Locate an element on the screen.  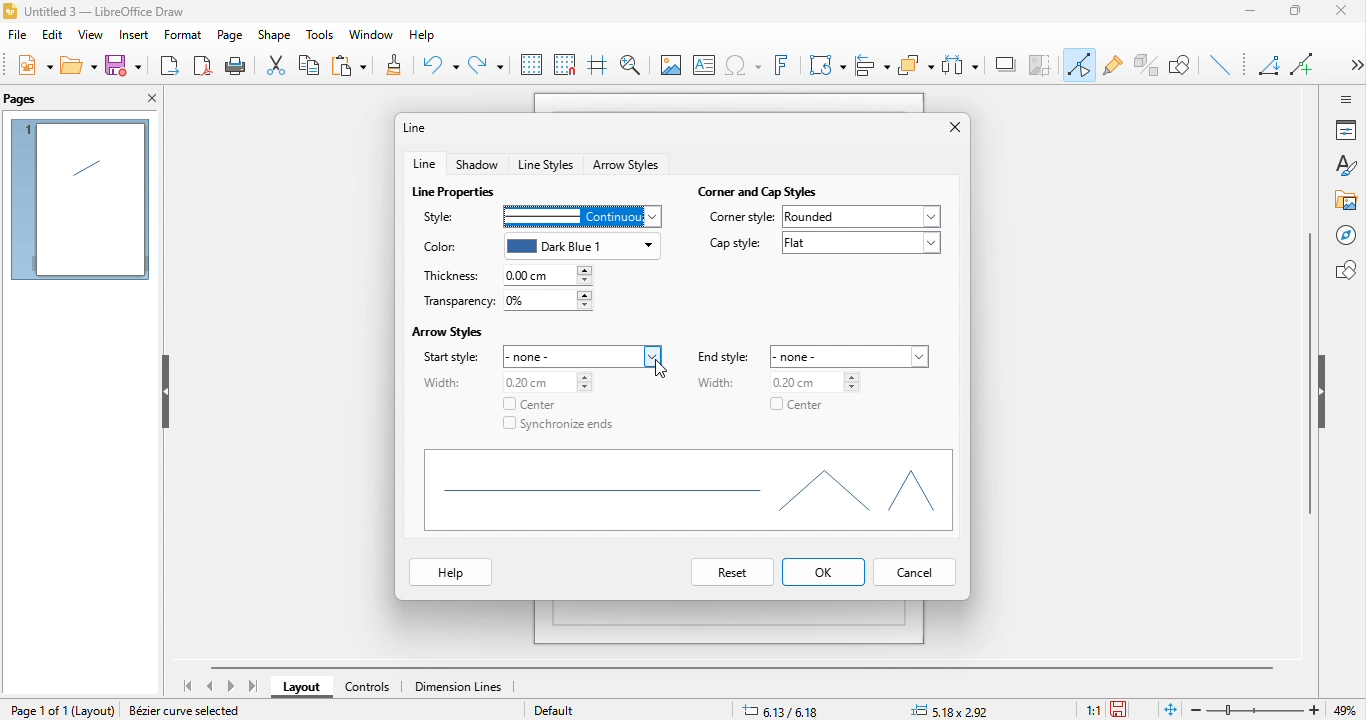
toggle point edit mode is located at coordinates (1081, 67).